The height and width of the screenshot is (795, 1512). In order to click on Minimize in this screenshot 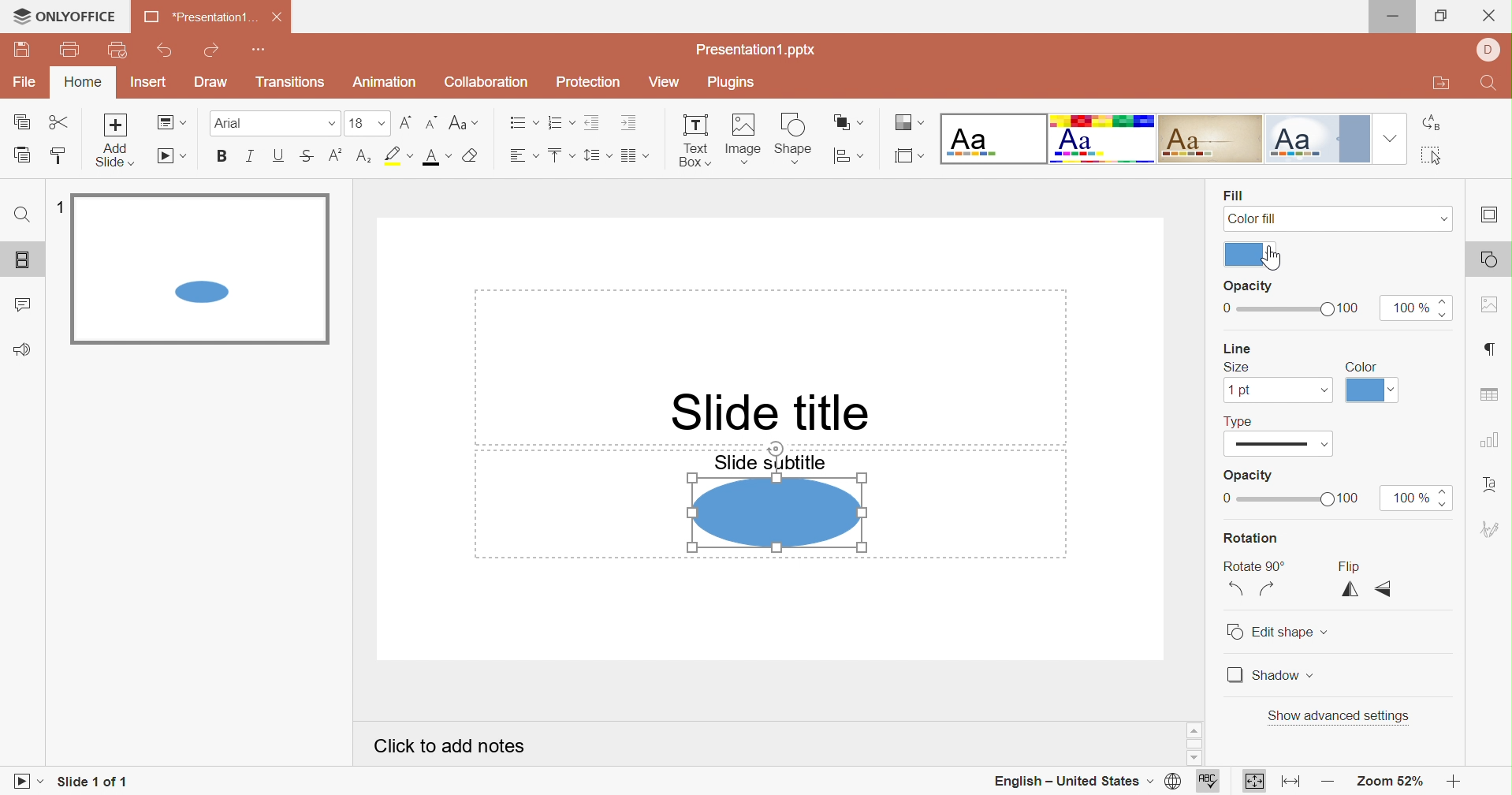, I will do `click(1398, 17)`.